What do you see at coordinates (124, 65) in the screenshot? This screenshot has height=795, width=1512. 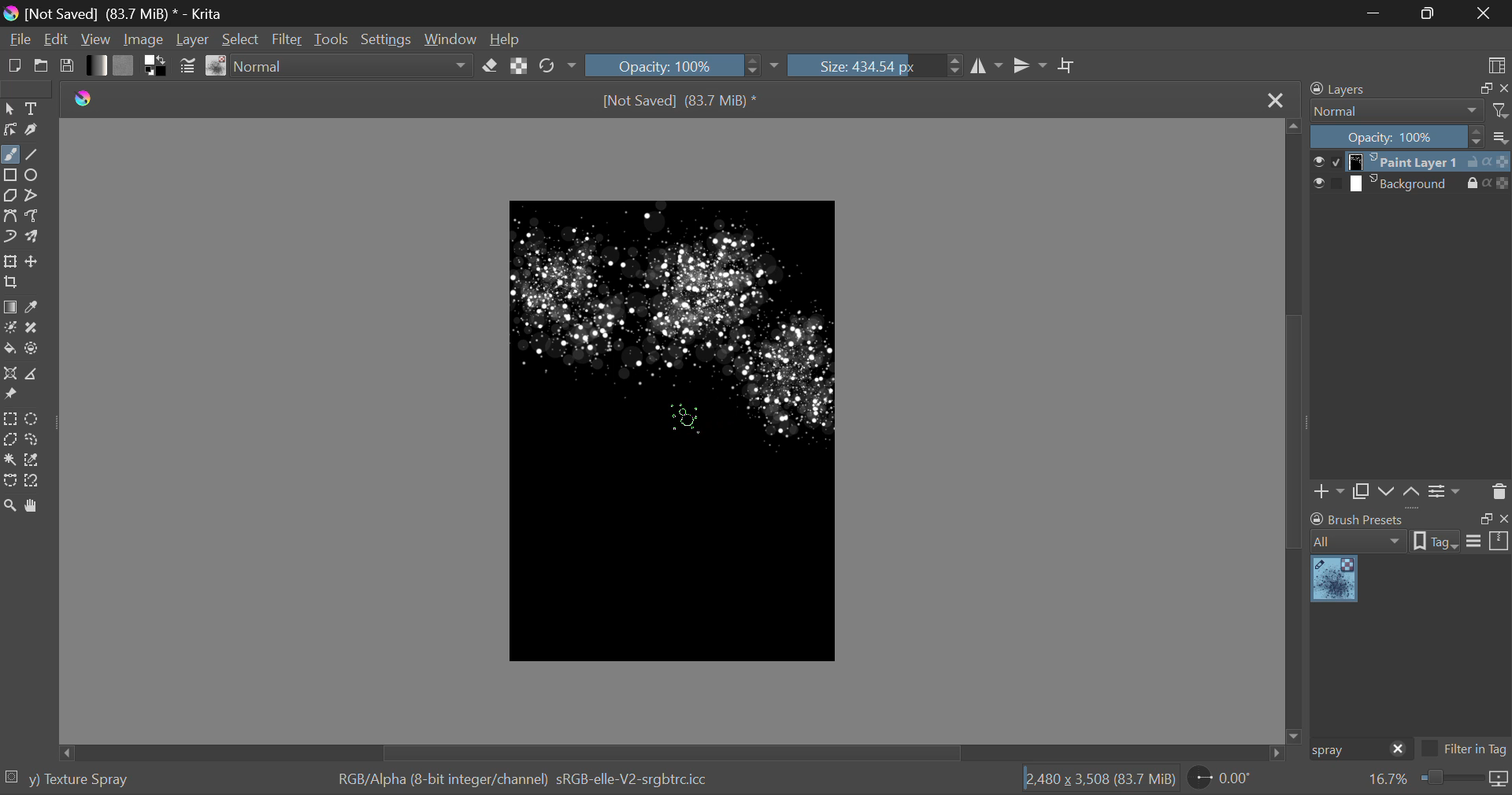 I see `Pattern` at bounding box center [124, 65].